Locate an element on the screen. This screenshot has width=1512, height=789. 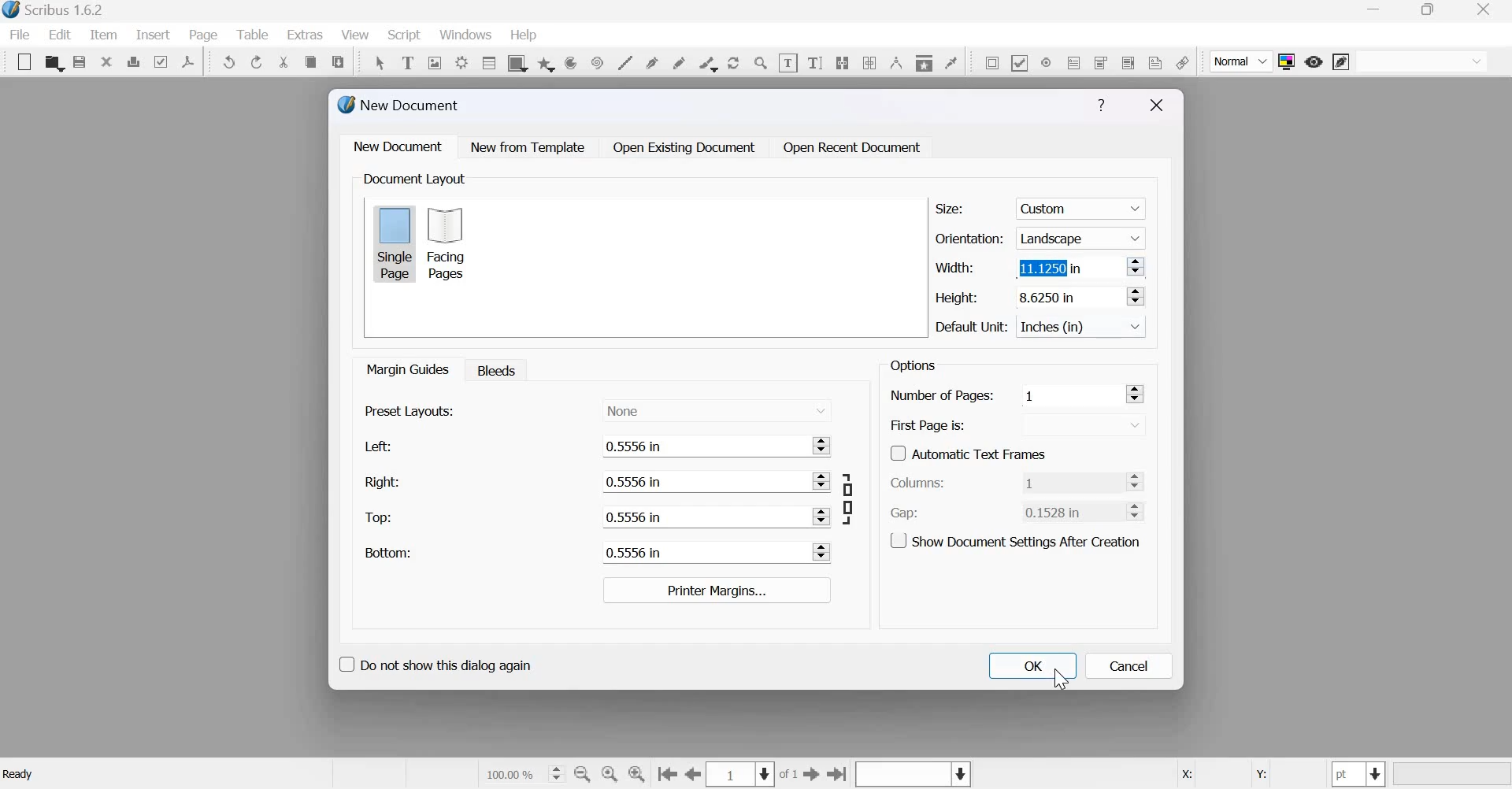
Present layouts:  is located at coordinates (410, 410).